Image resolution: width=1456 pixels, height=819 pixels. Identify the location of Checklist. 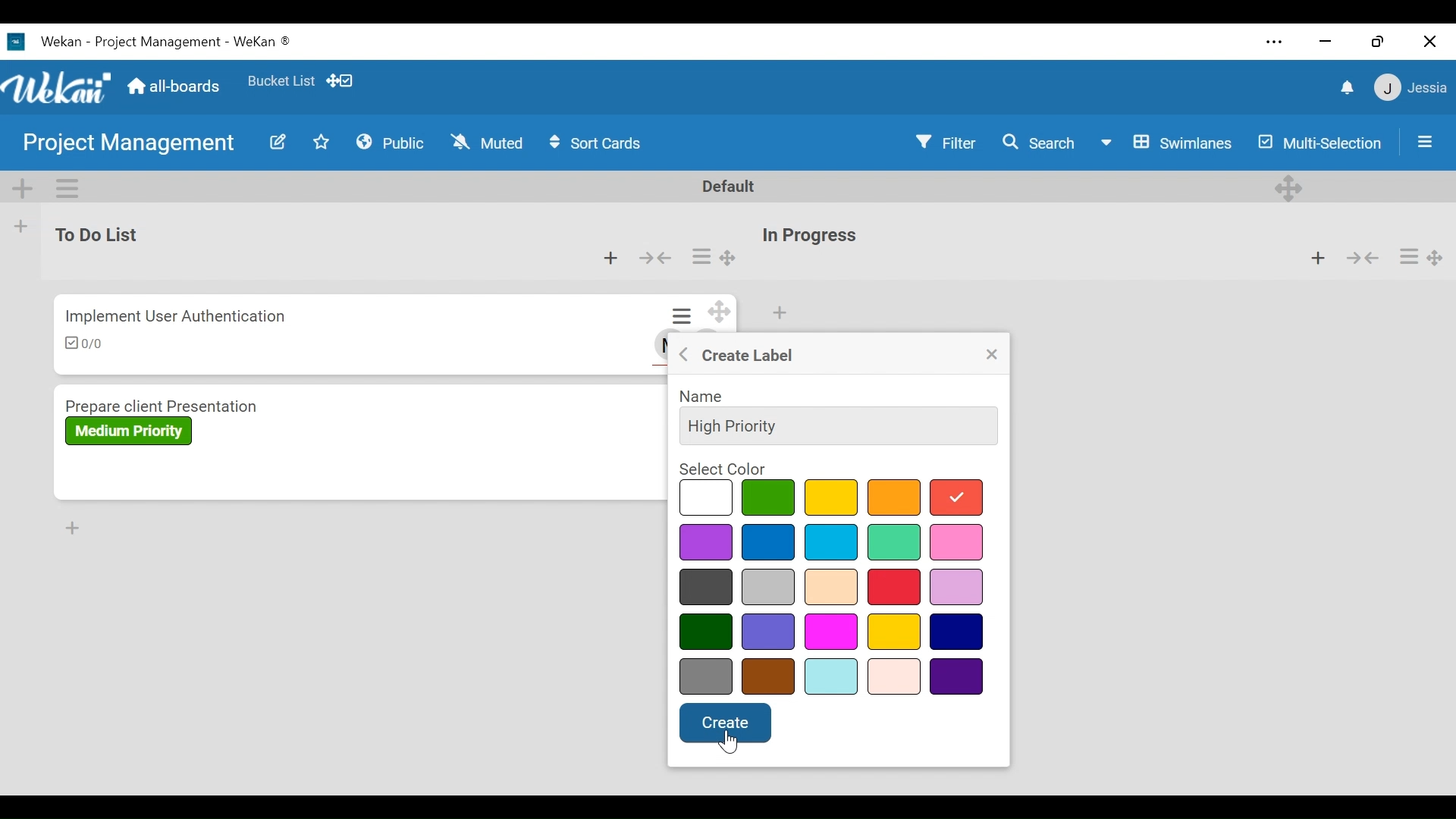
(89, 344).